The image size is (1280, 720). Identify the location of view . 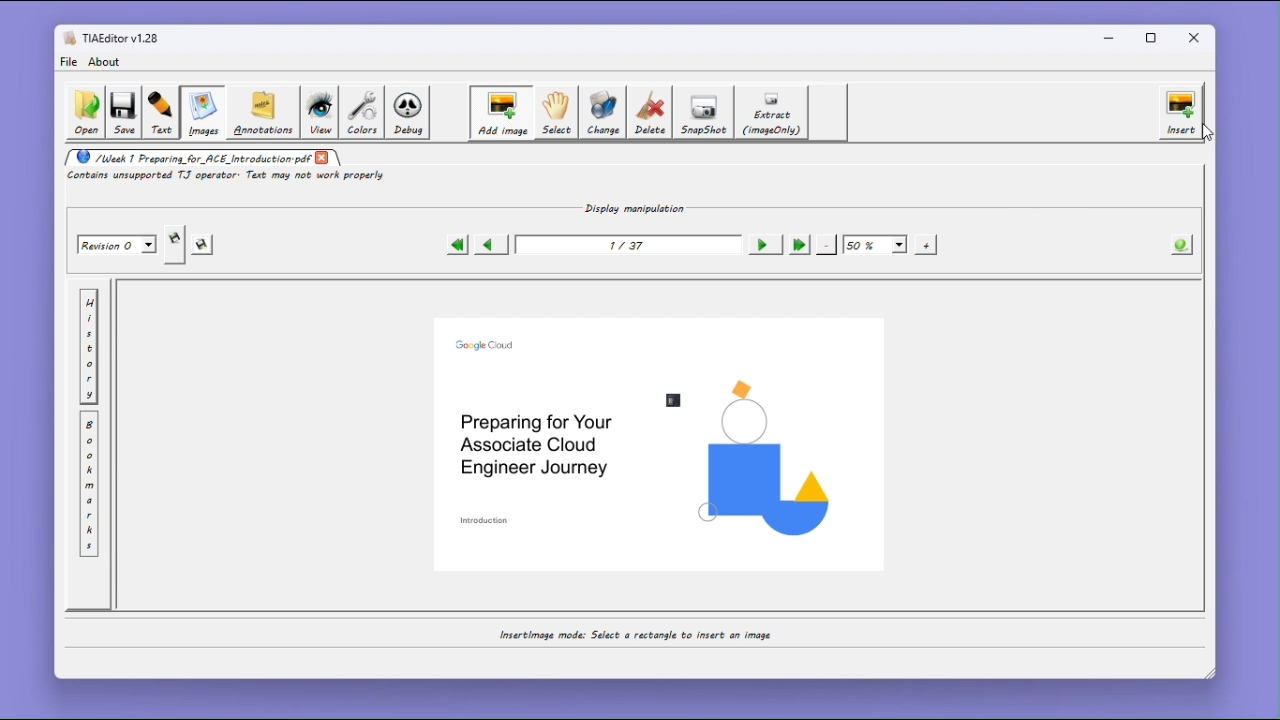
(319, 113).